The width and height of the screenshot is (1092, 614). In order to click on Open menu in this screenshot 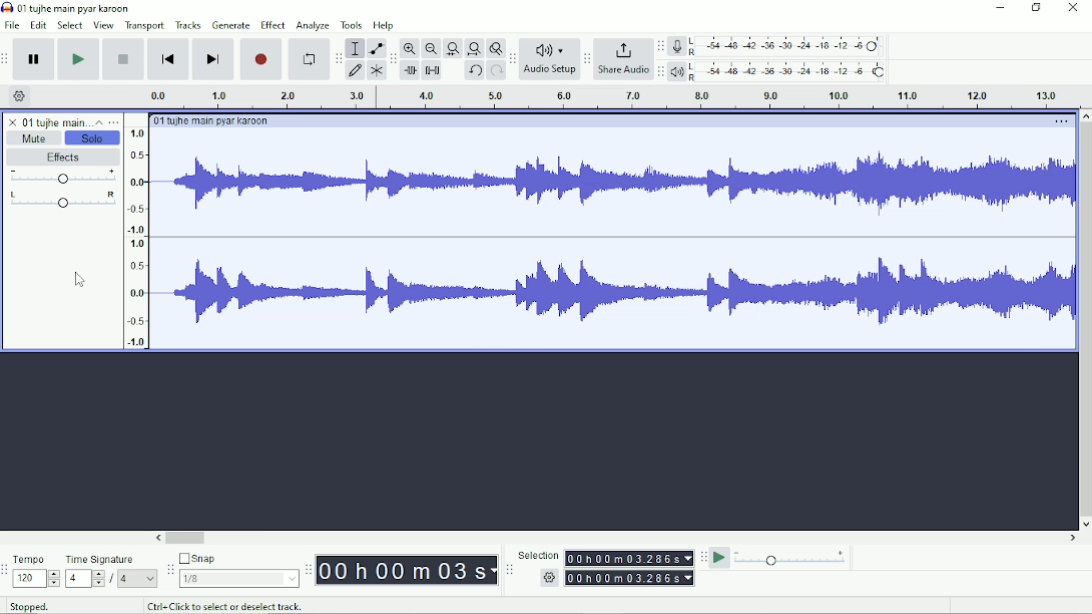, I will do `click(114, 121)`.